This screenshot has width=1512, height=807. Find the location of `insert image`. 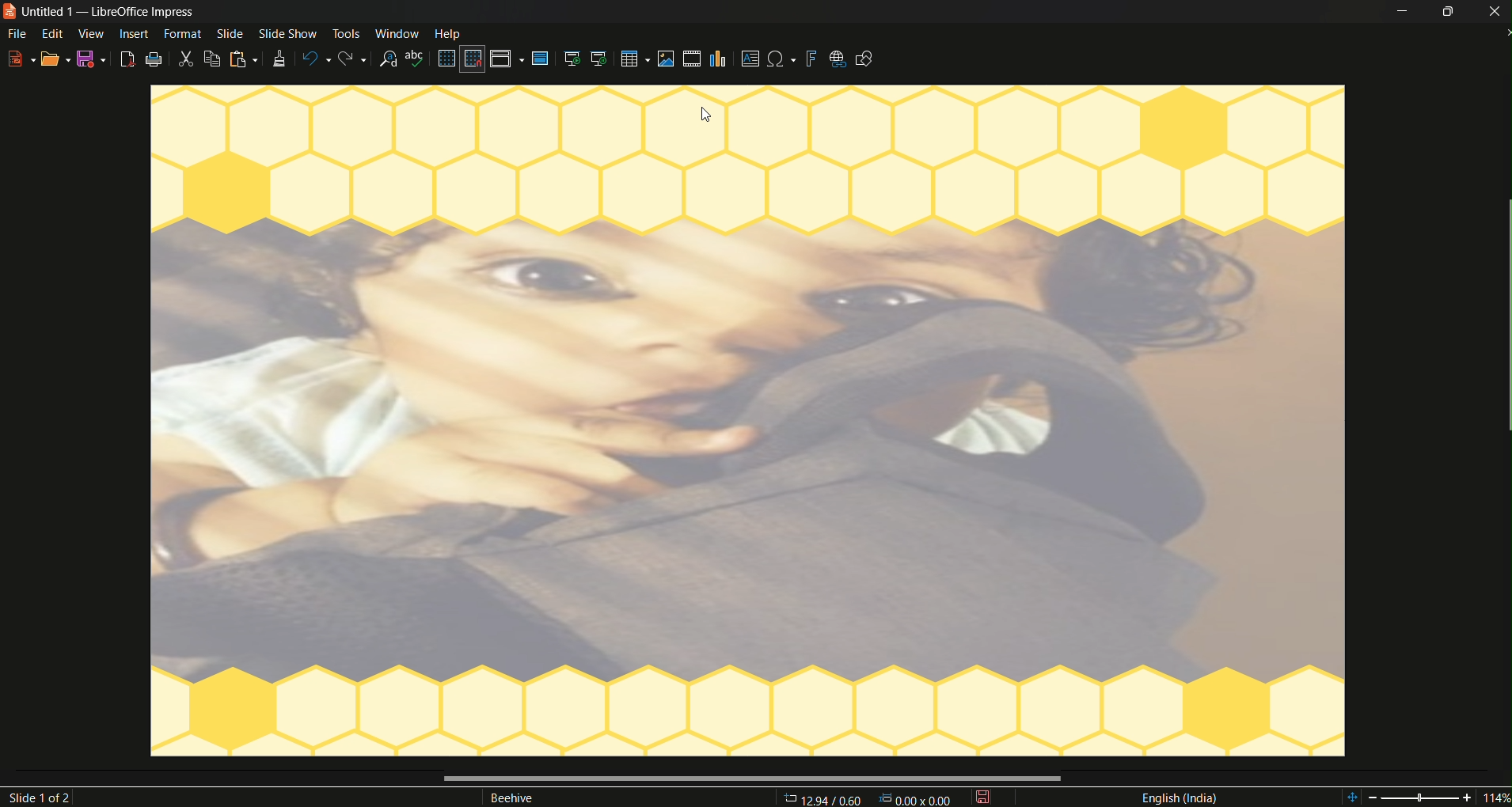

insert image is located at coordinates (666, 60).